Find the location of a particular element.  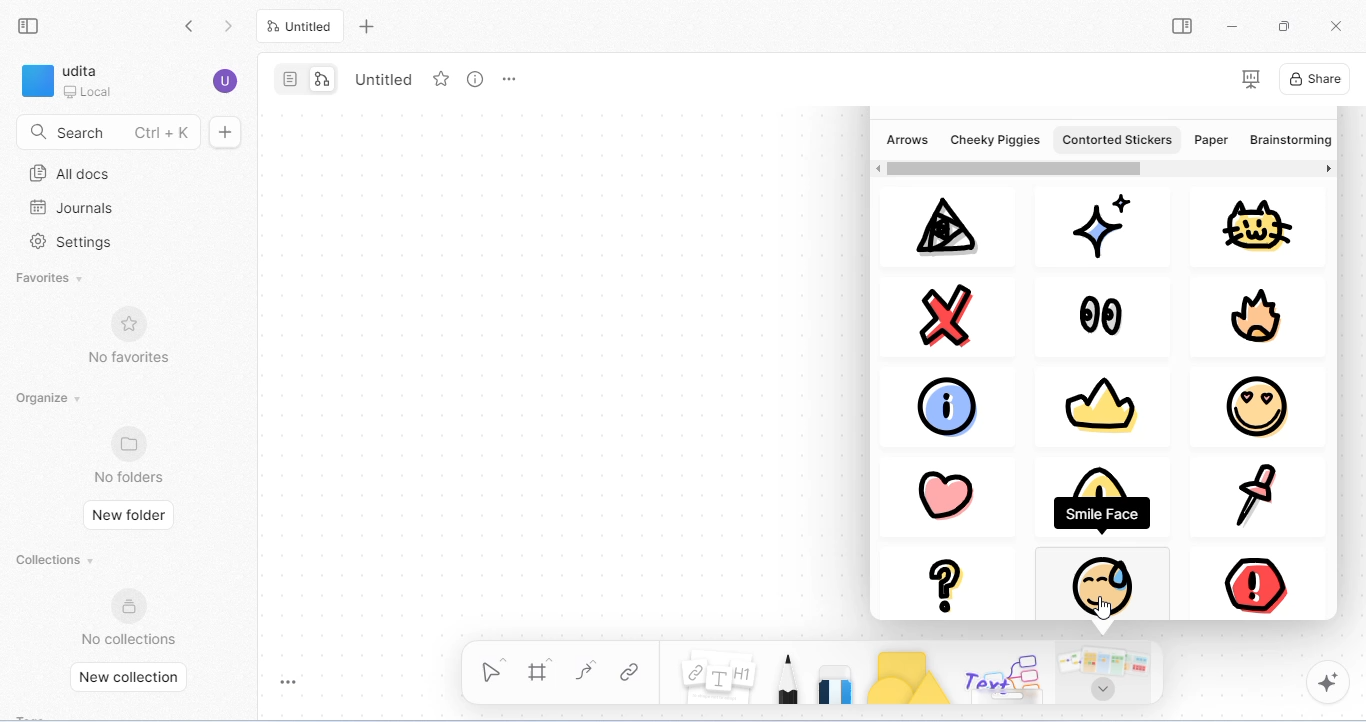

workspace is located at coordinates (69, 81).